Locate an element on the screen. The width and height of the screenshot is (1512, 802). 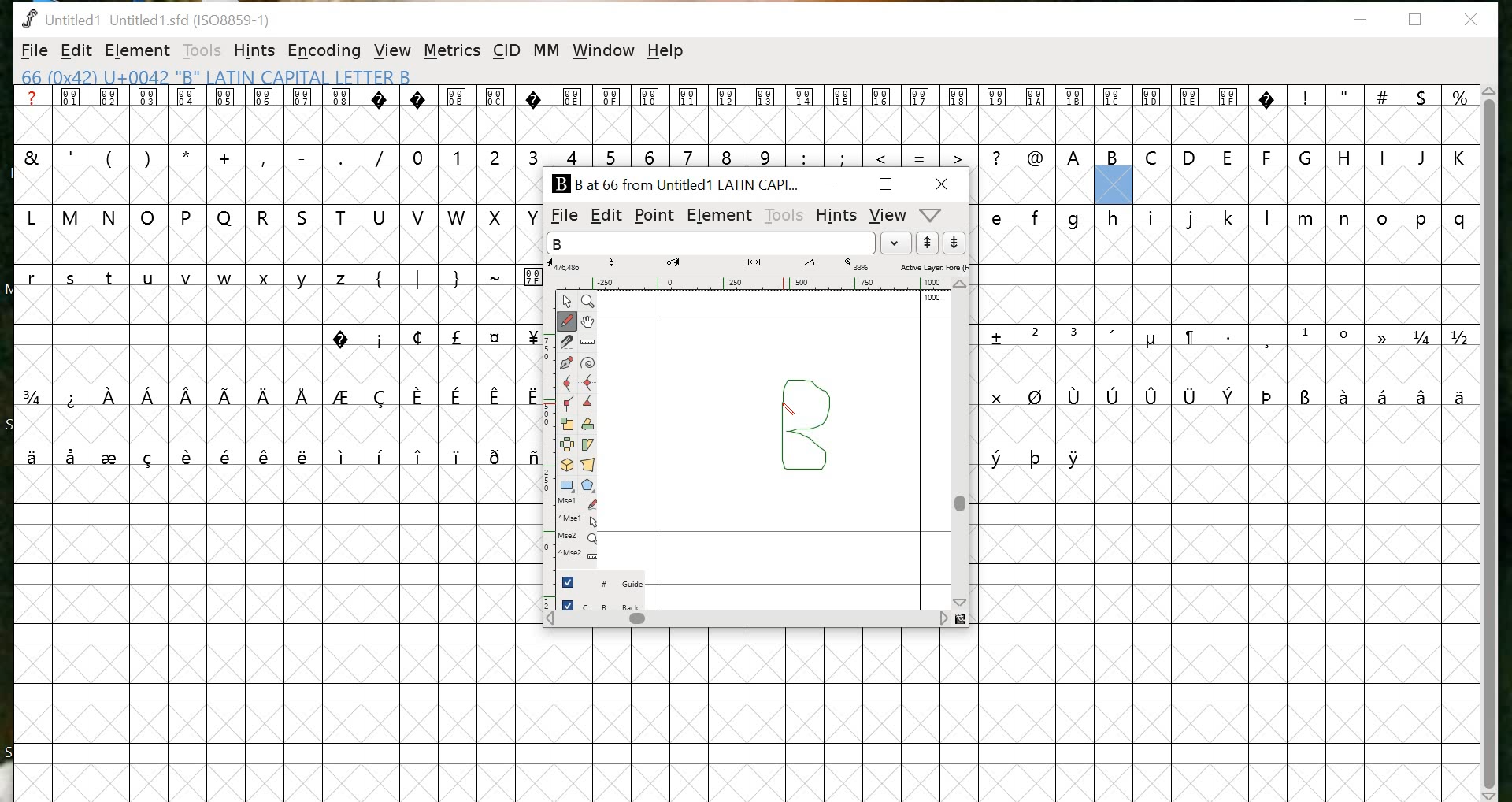
input word list field is located at coordinates (710, 243).